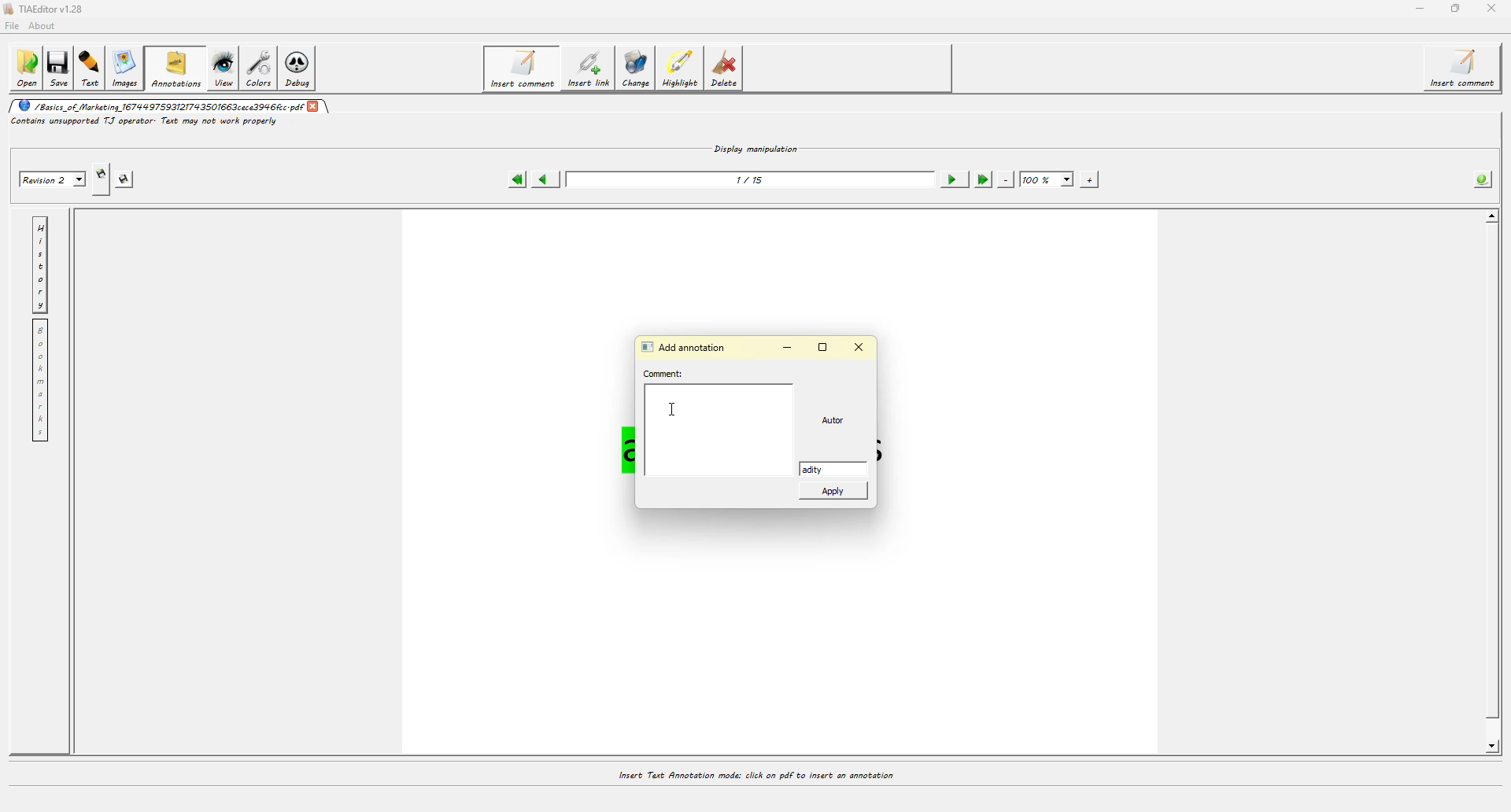 The height and width of the screenshot is (812, 1511). I want to click on close, so click(1490, 9).